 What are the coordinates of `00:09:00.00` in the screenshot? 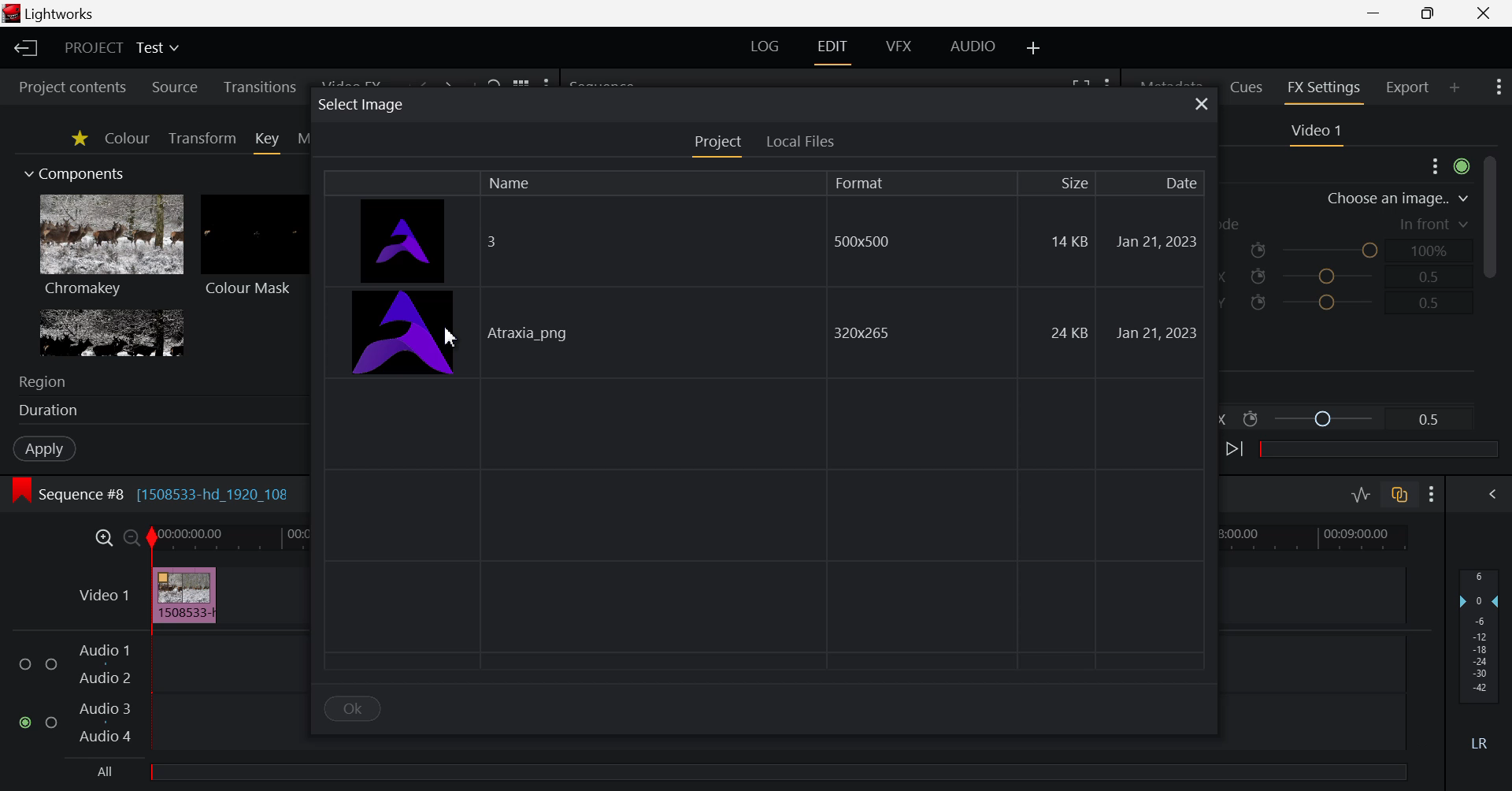 It's located at (1359, 533).